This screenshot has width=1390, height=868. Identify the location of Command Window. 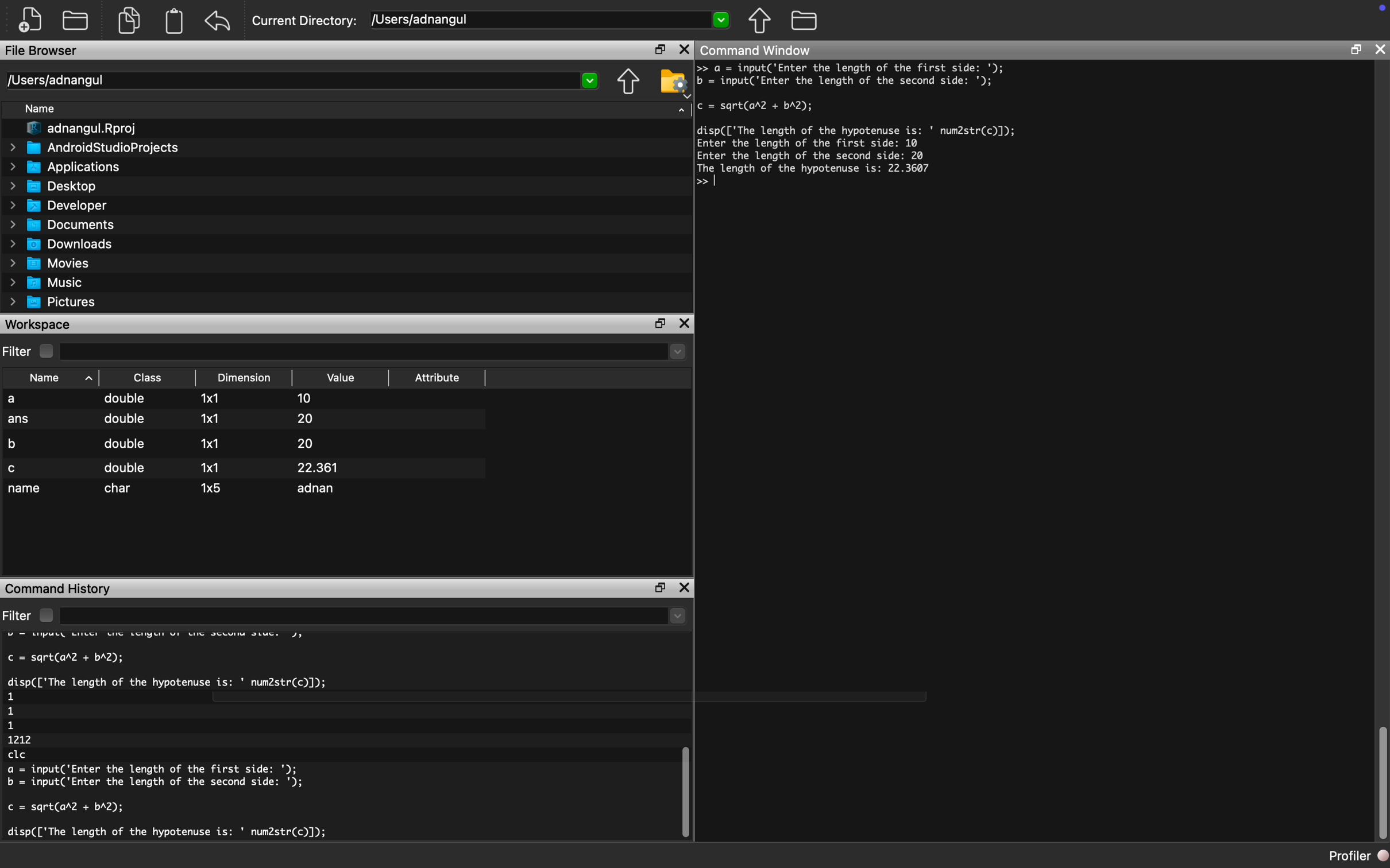
(757, 52).